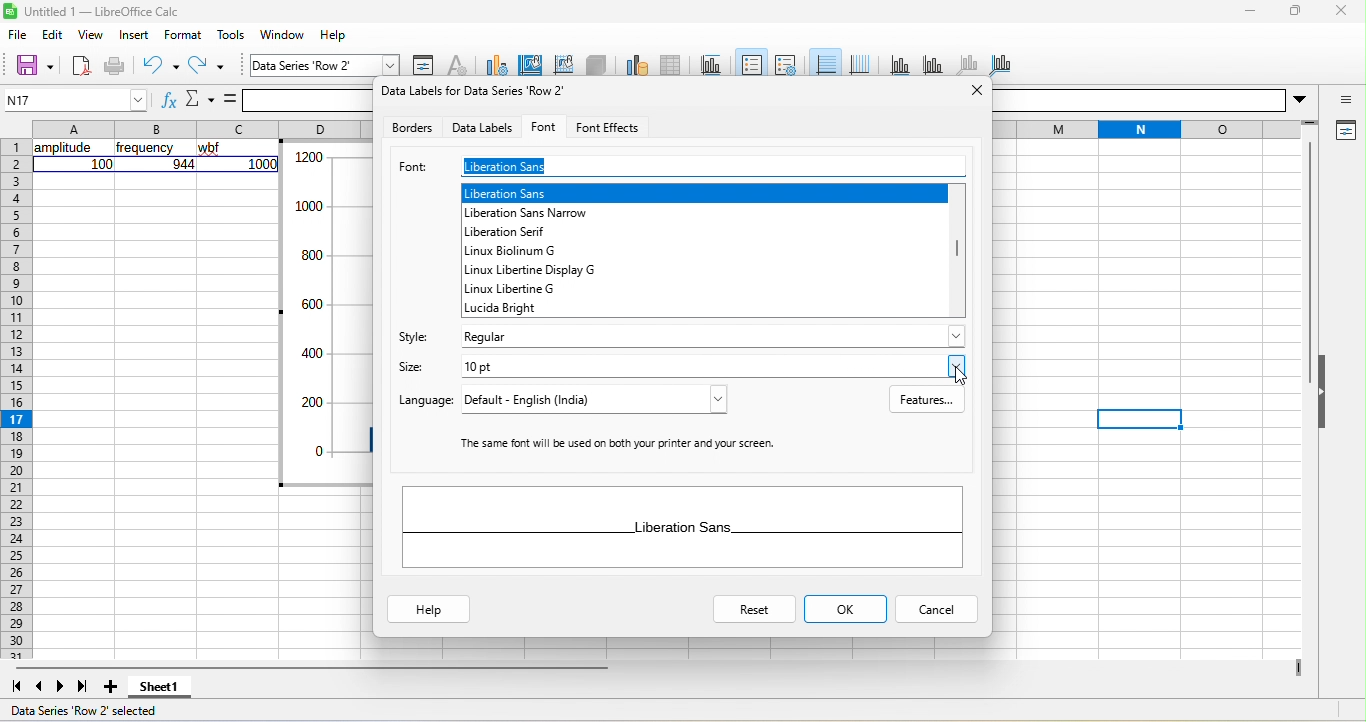  Describe the element at coordinates (230, 35) in the screenshot. I see `tools` at that location.